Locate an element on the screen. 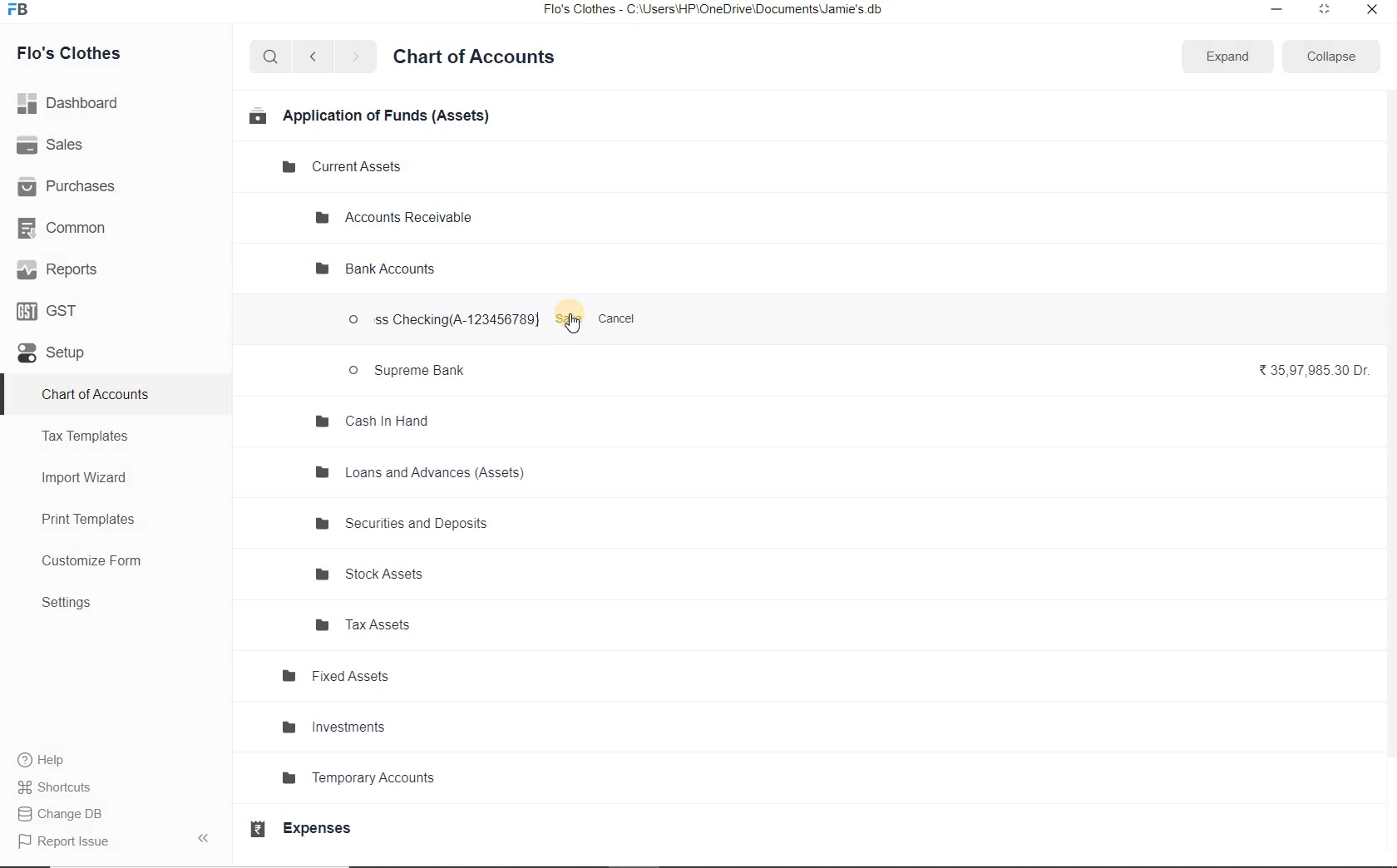 The height and width of the screenshot is (868, 1397). Dashboard is located at coordinates (74, 101).